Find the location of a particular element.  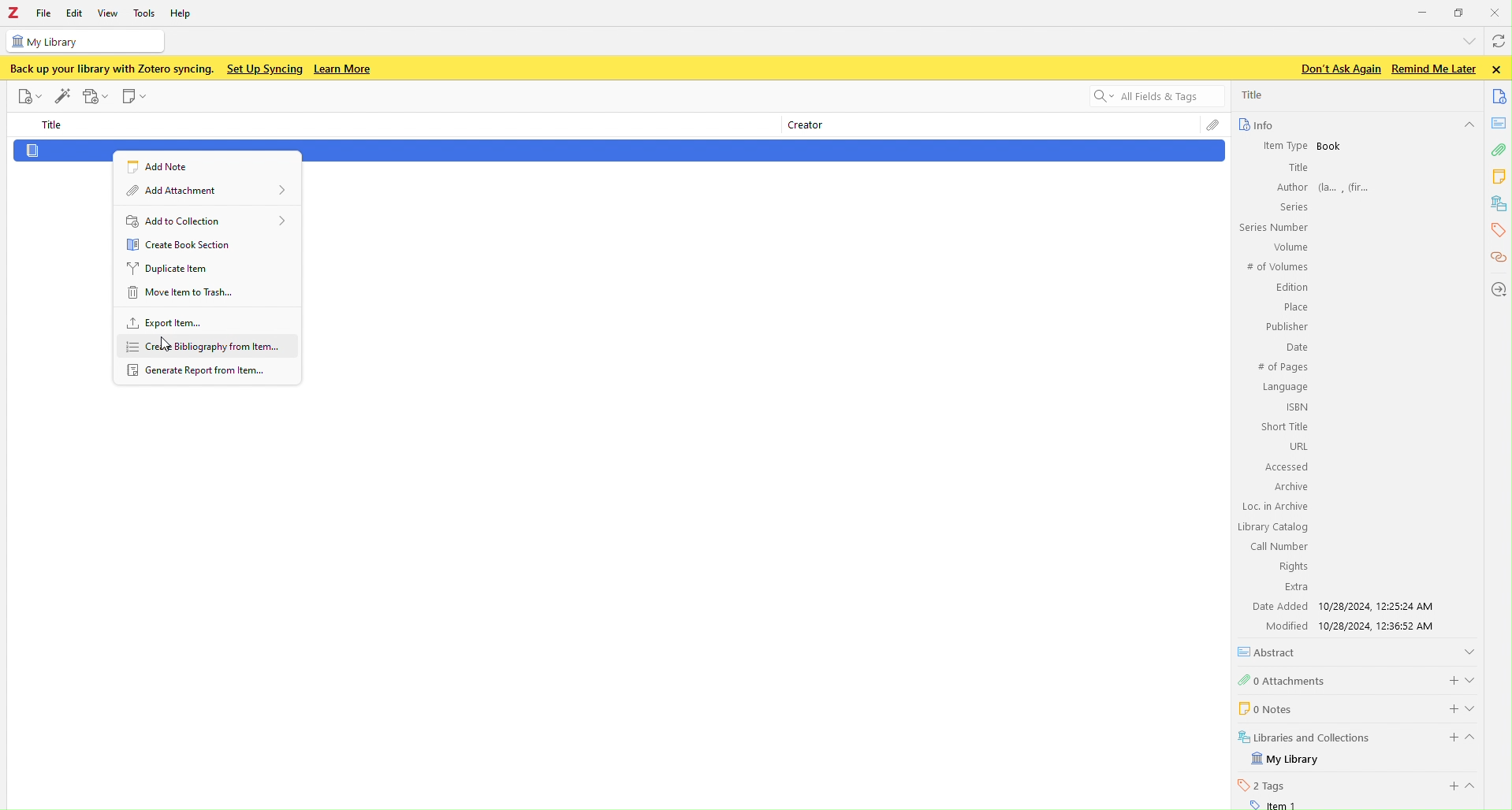

close is located at coordinates (1499, 69).